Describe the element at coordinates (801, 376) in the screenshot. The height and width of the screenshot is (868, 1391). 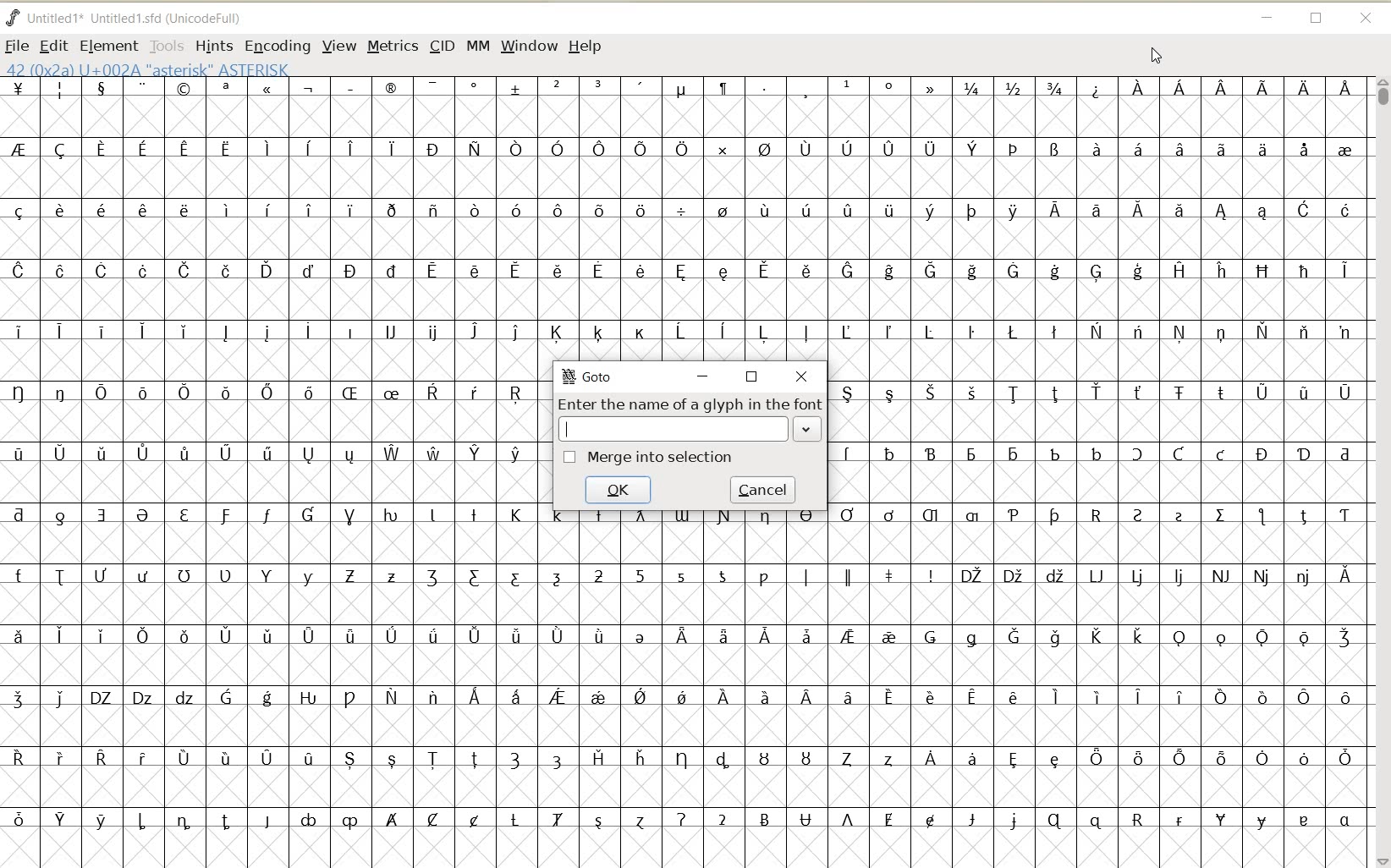
I see `close` at that location.